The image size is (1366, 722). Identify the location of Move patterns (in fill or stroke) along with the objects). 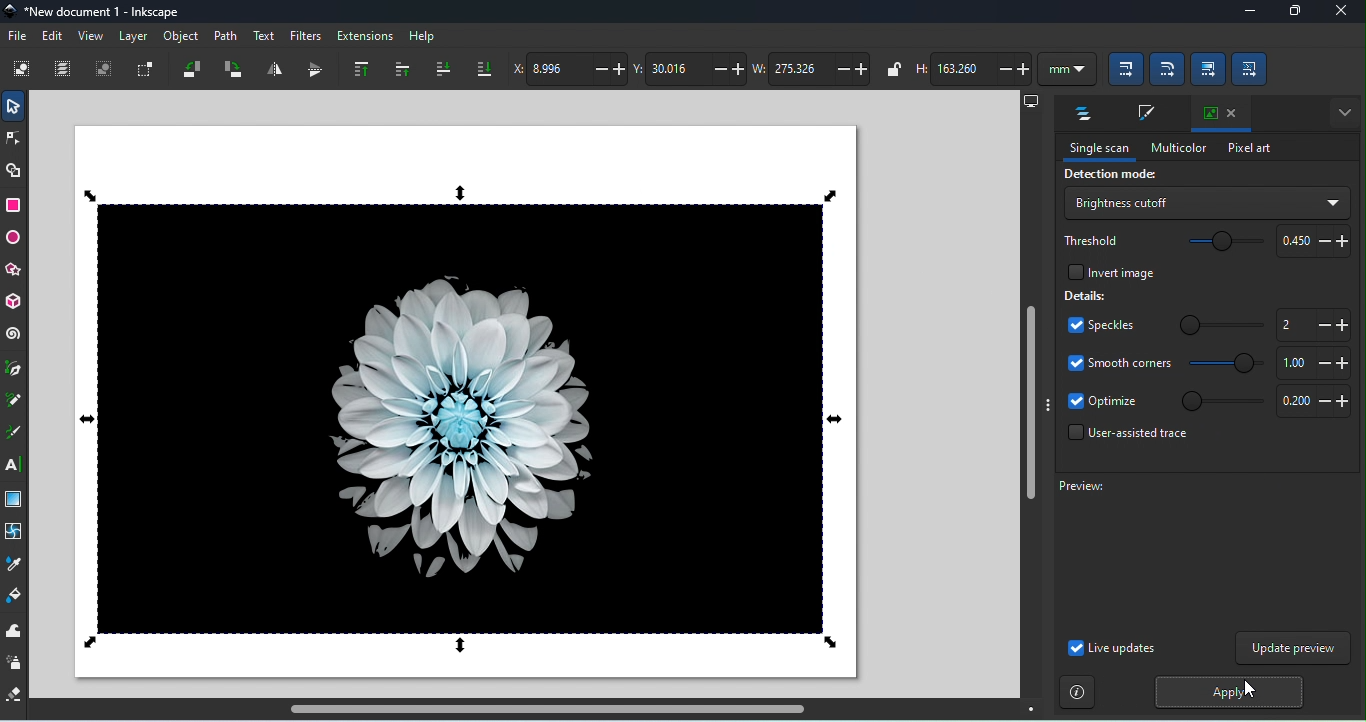
(1252, 70).